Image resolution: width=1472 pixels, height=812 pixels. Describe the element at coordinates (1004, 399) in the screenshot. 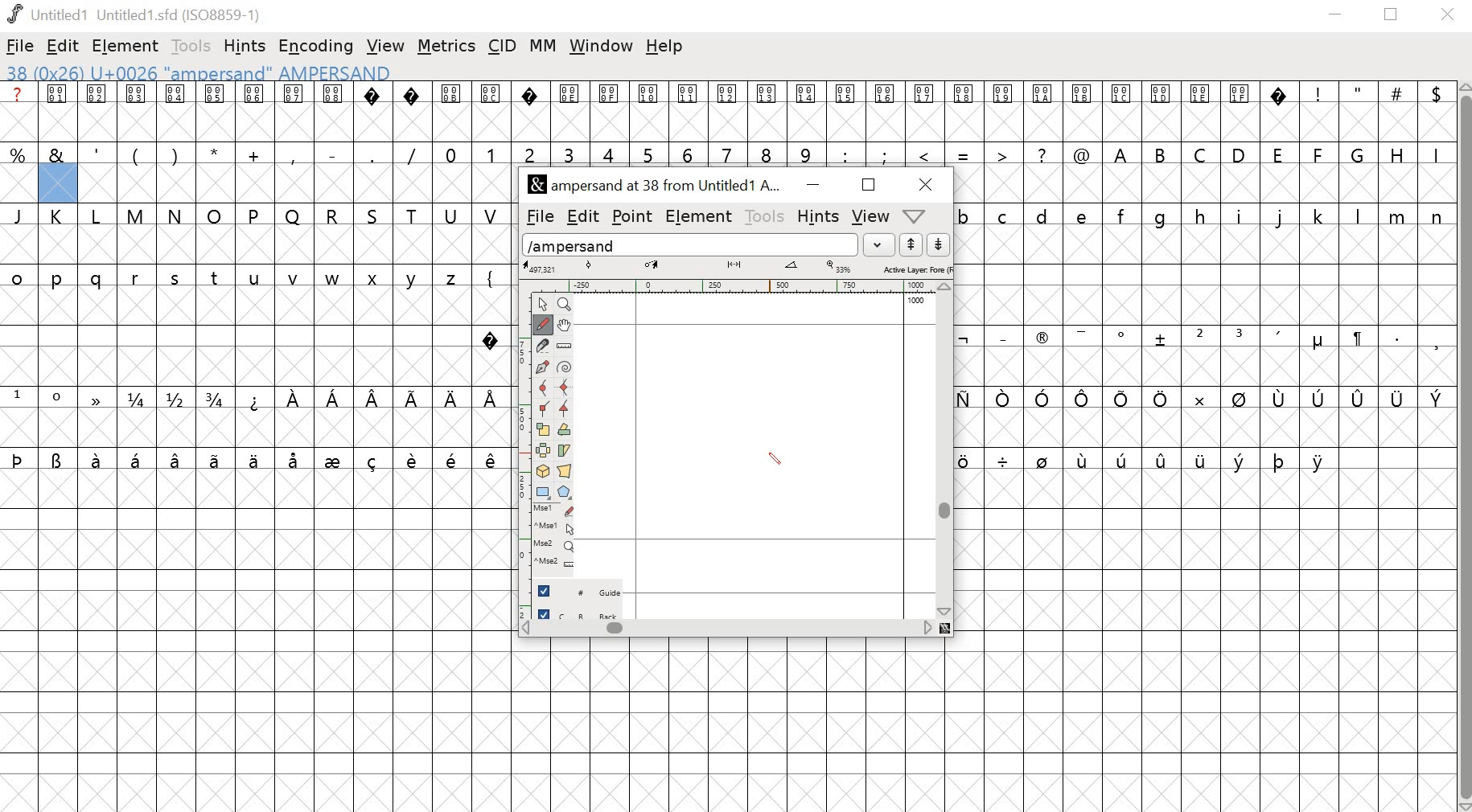

I see `symbol` at that location.